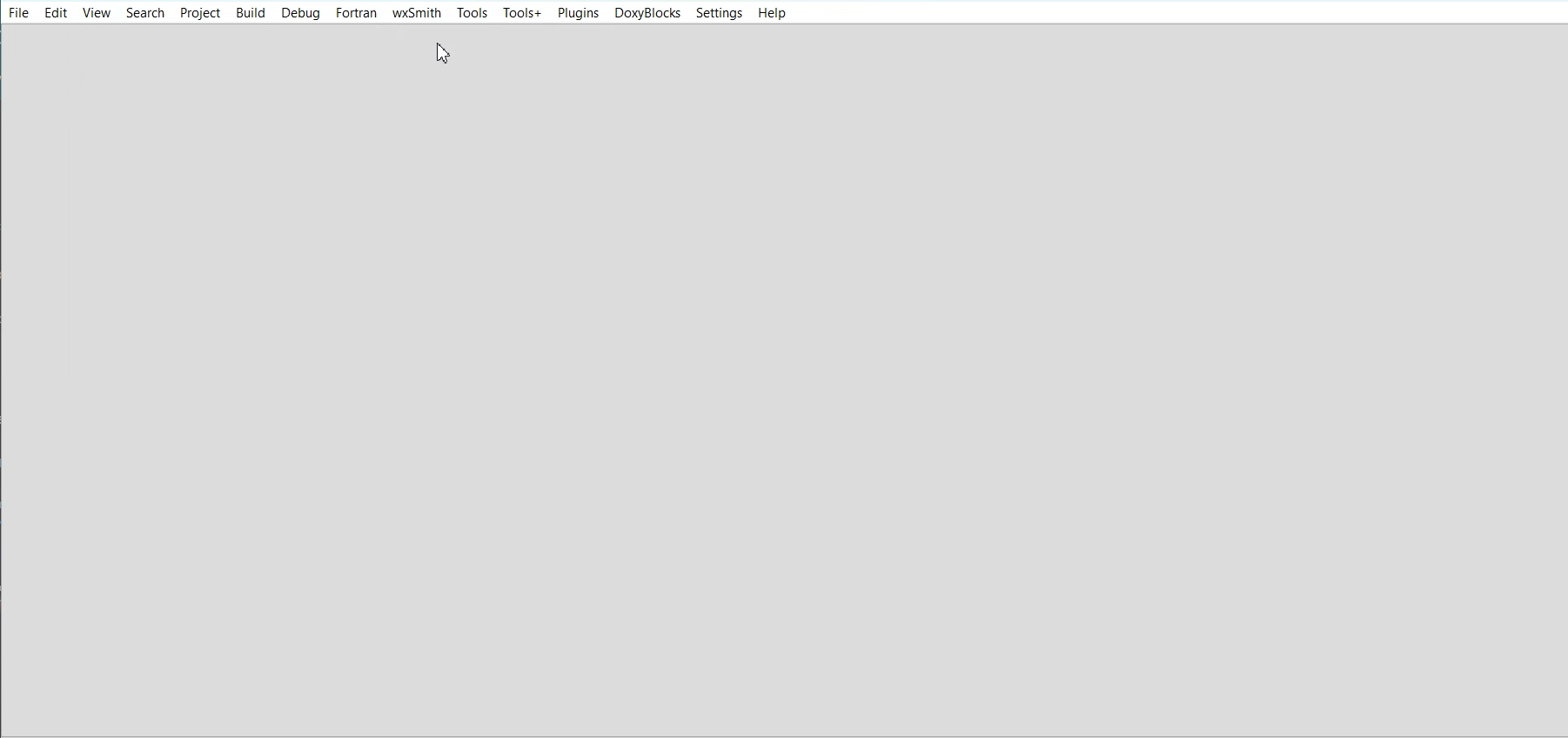 The width and height of the screenshot is (1568, 738). I want to click on Tools+, so click(522, 13).